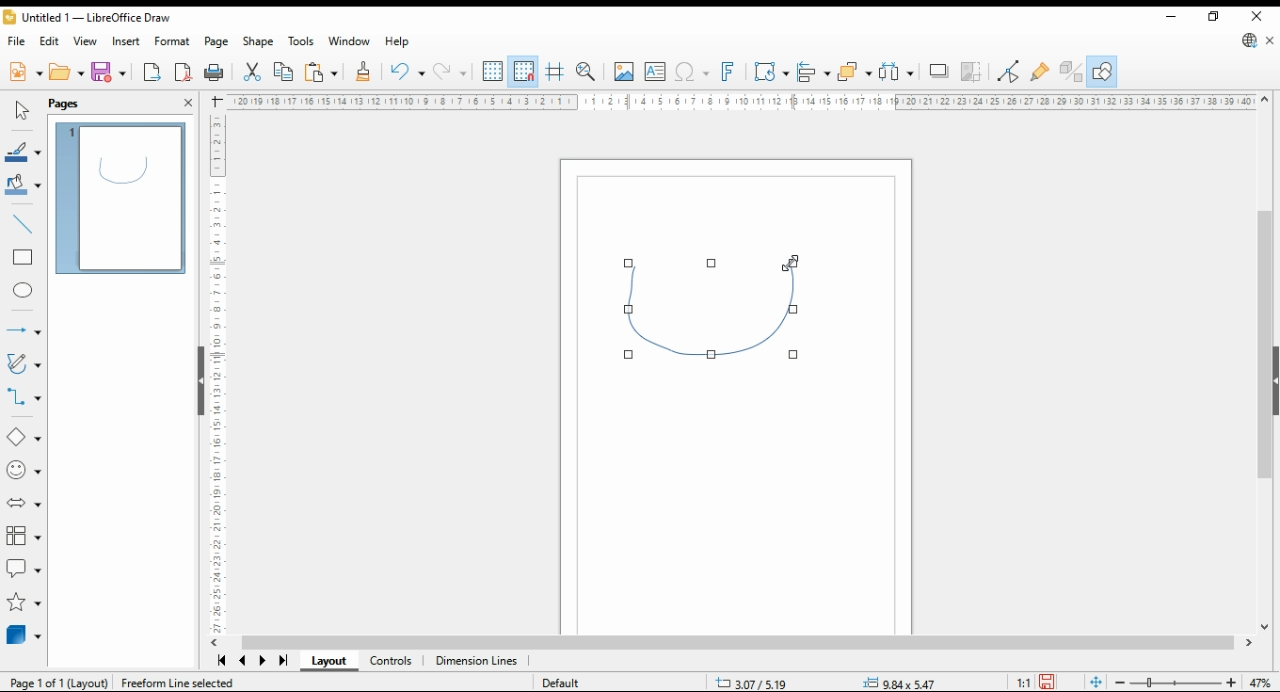 Image resolution: width=1280 pixels, height=692 pixels. Describe the element at coordinates (970, 72) in the screenshot. I see `crop` at that location.